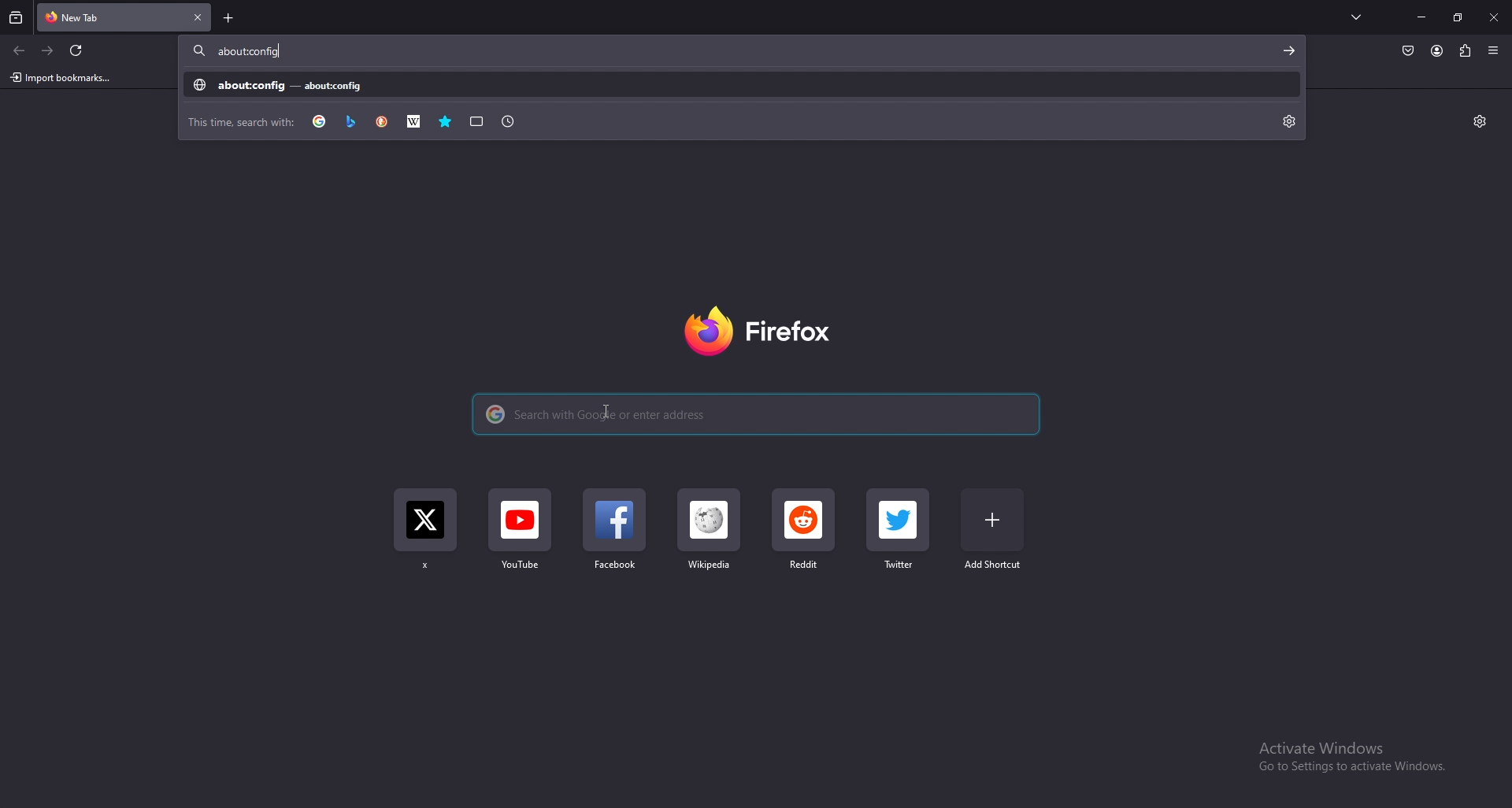  Describe the element at coordinates (1408, 51) in the screenshot. I see `save to pocket` at that location.